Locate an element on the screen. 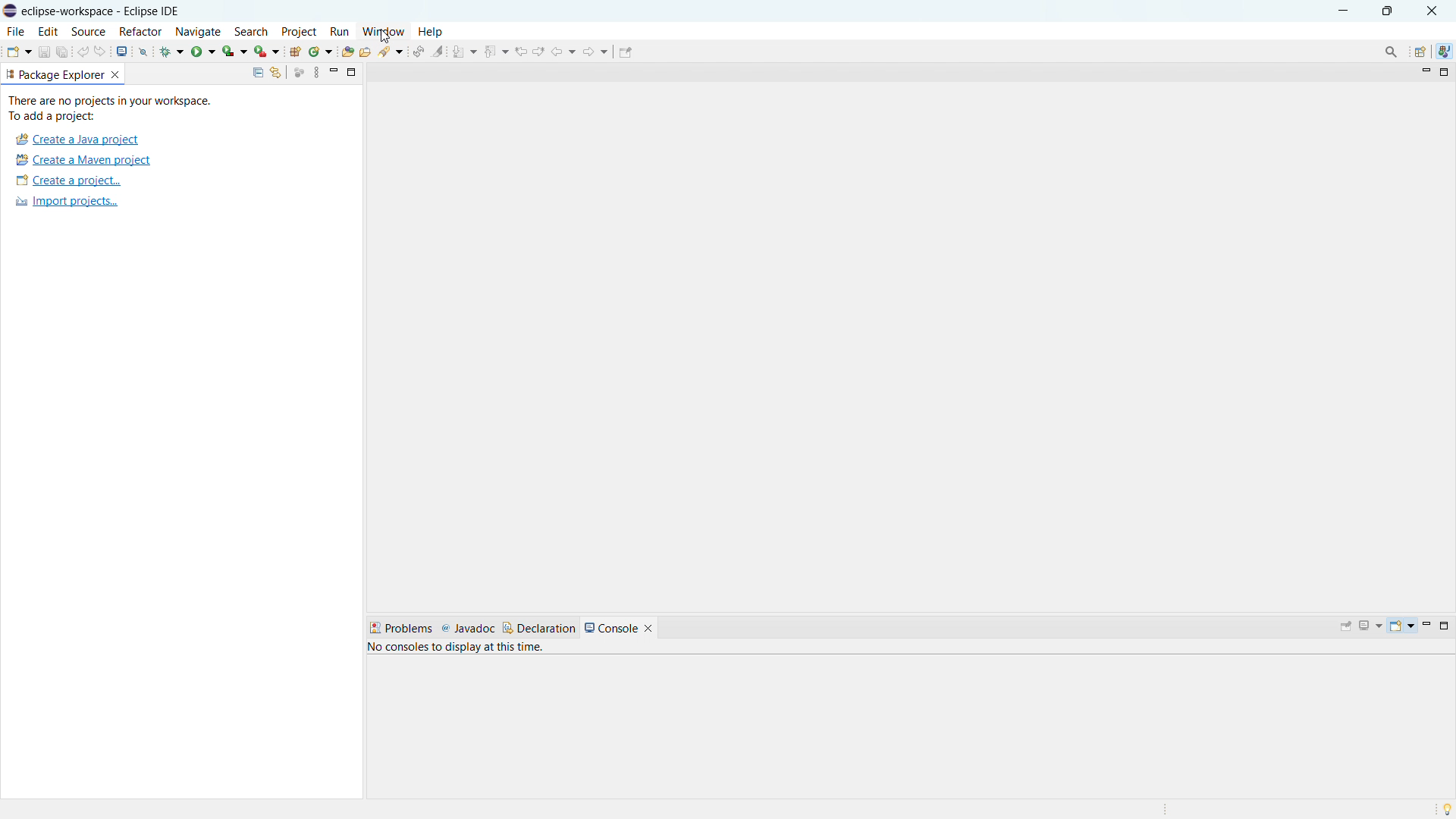 This screenshot has width=1456, height=819. open task is located at coordinates (366, 50).